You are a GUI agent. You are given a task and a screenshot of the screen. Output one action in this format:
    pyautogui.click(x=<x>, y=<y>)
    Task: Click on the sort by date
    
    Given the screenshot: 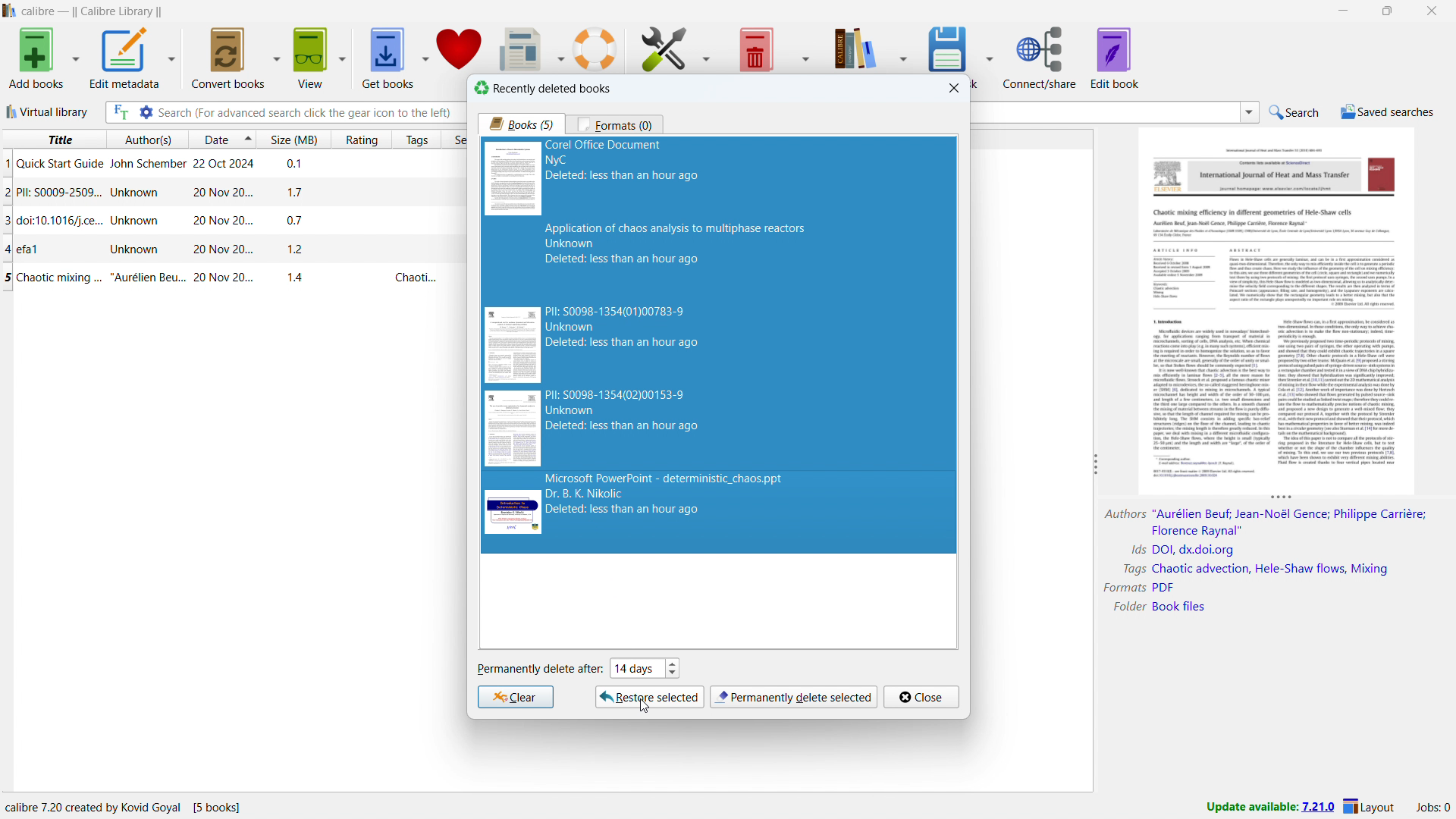 What is the action you would take?
    pyautogui.click(x=214, y=139)
    